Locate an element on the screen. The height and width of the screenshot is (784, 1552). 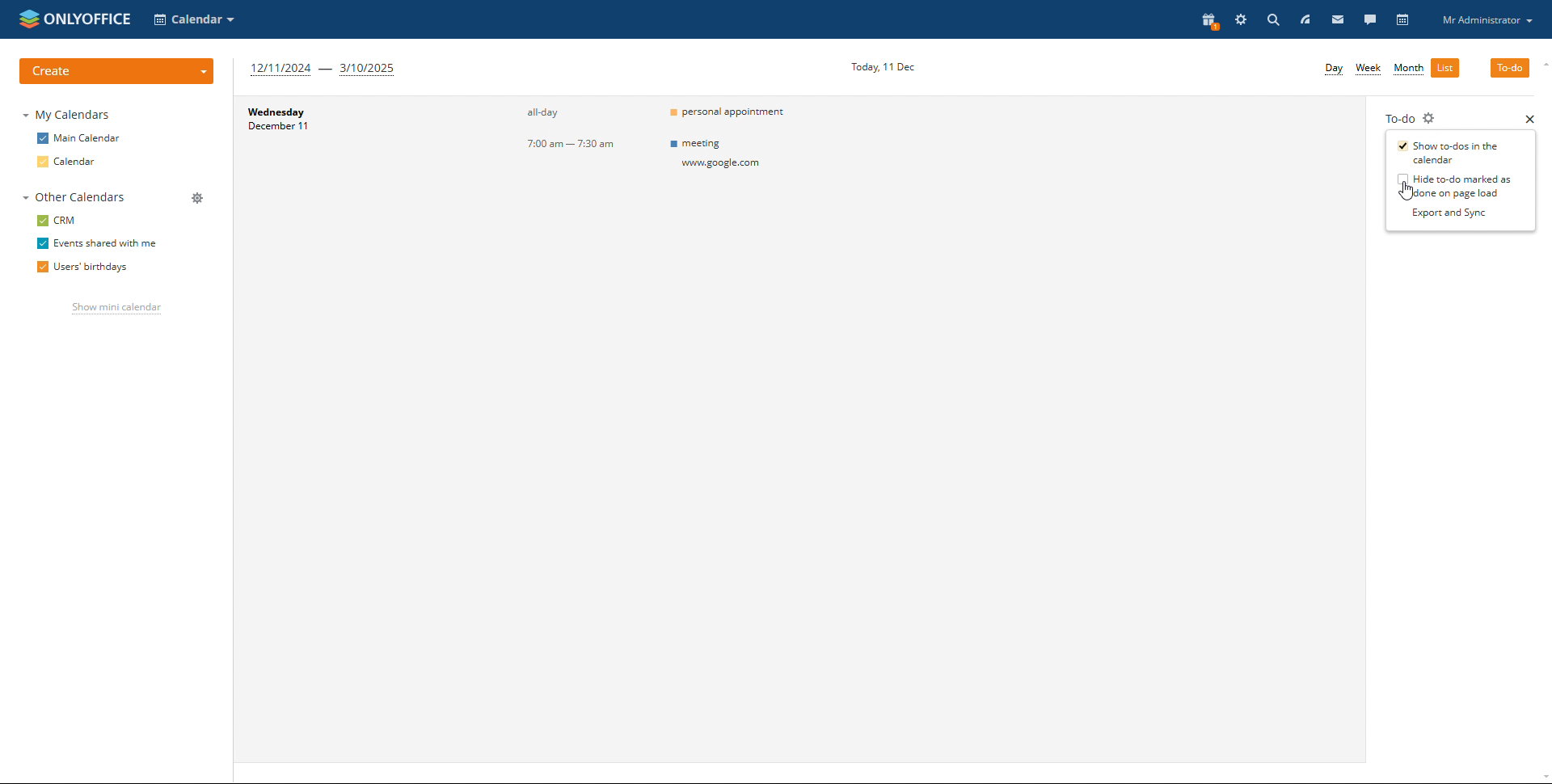
week view is located at coordinates (1369, 70).